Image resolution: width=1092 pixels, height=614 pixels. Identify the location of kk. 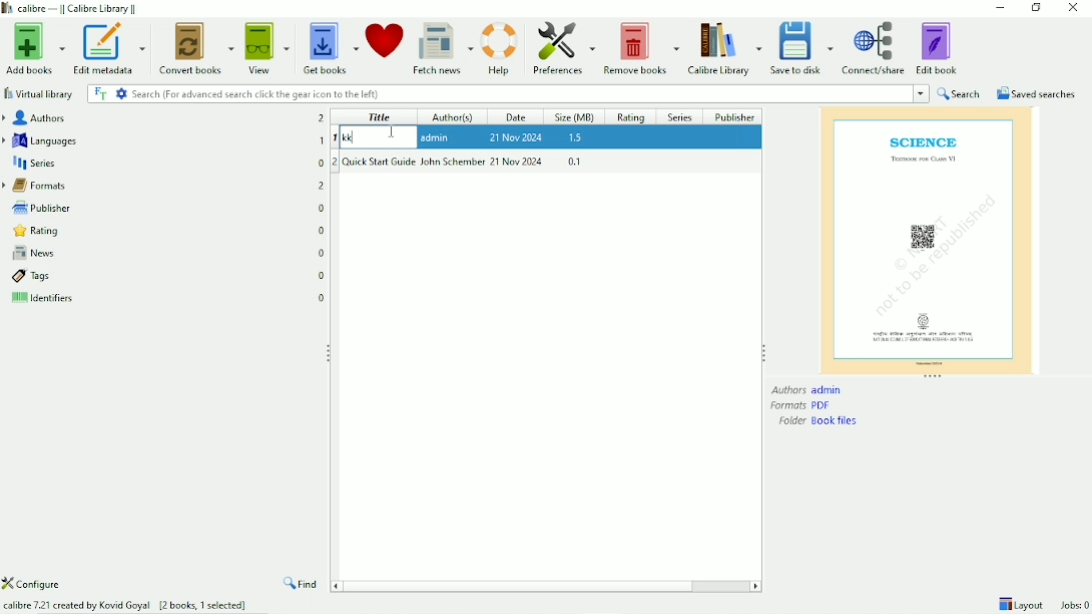
(362, 138).